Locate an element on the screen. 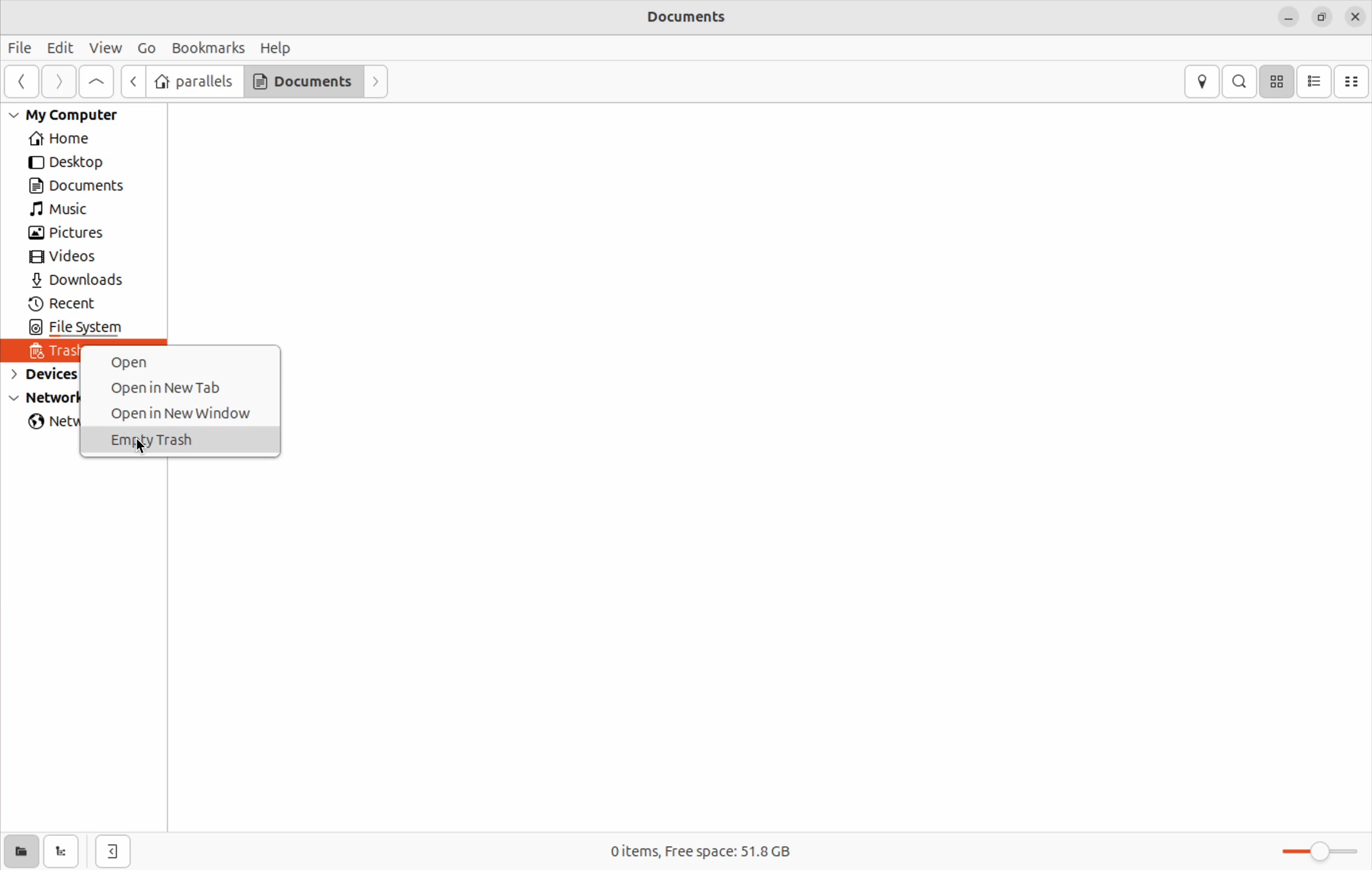  Documents is located at coordinates (690, 18).